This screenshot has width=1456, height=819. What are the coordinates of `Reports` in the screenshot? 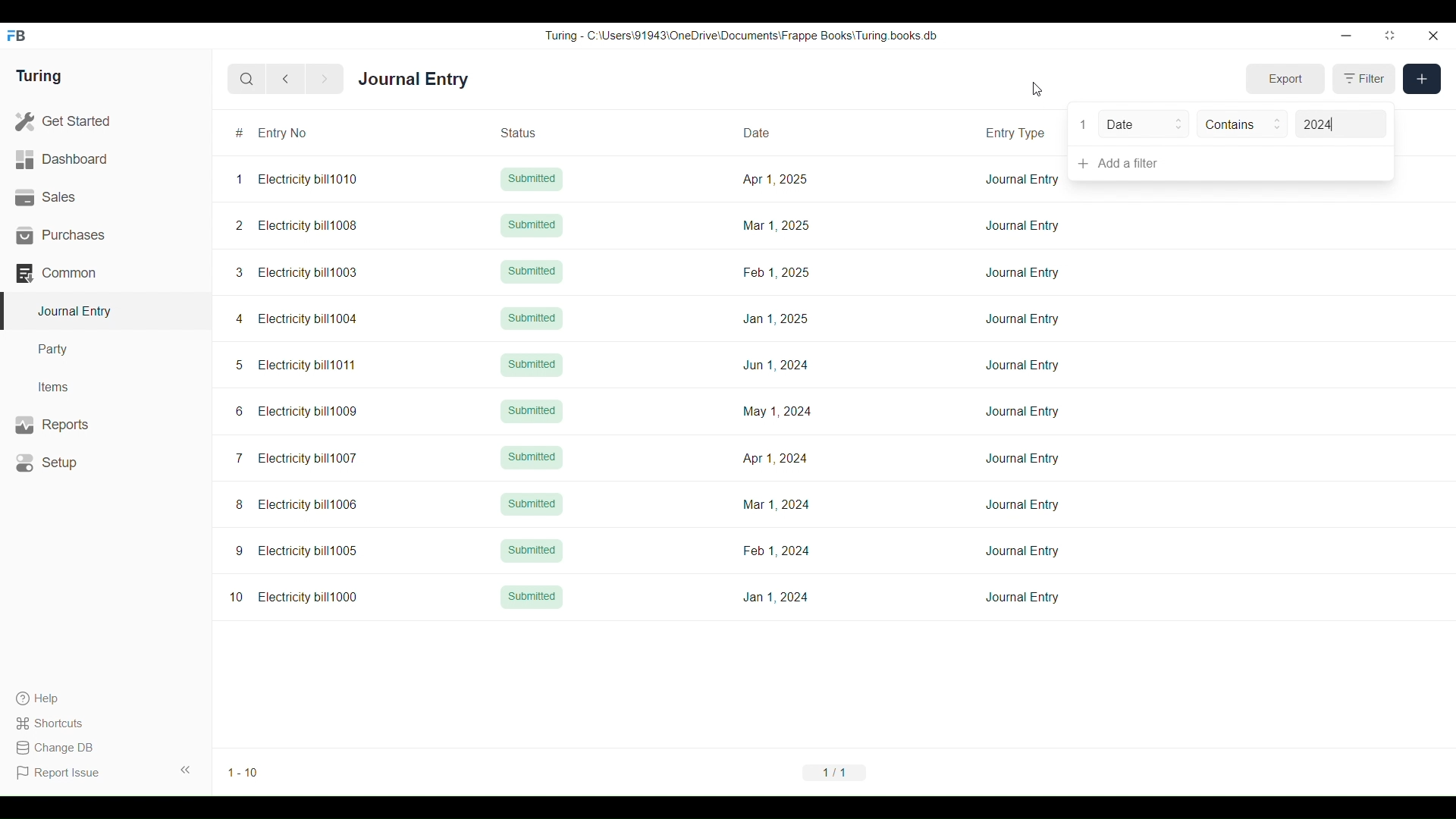 It's located at (107, 425).